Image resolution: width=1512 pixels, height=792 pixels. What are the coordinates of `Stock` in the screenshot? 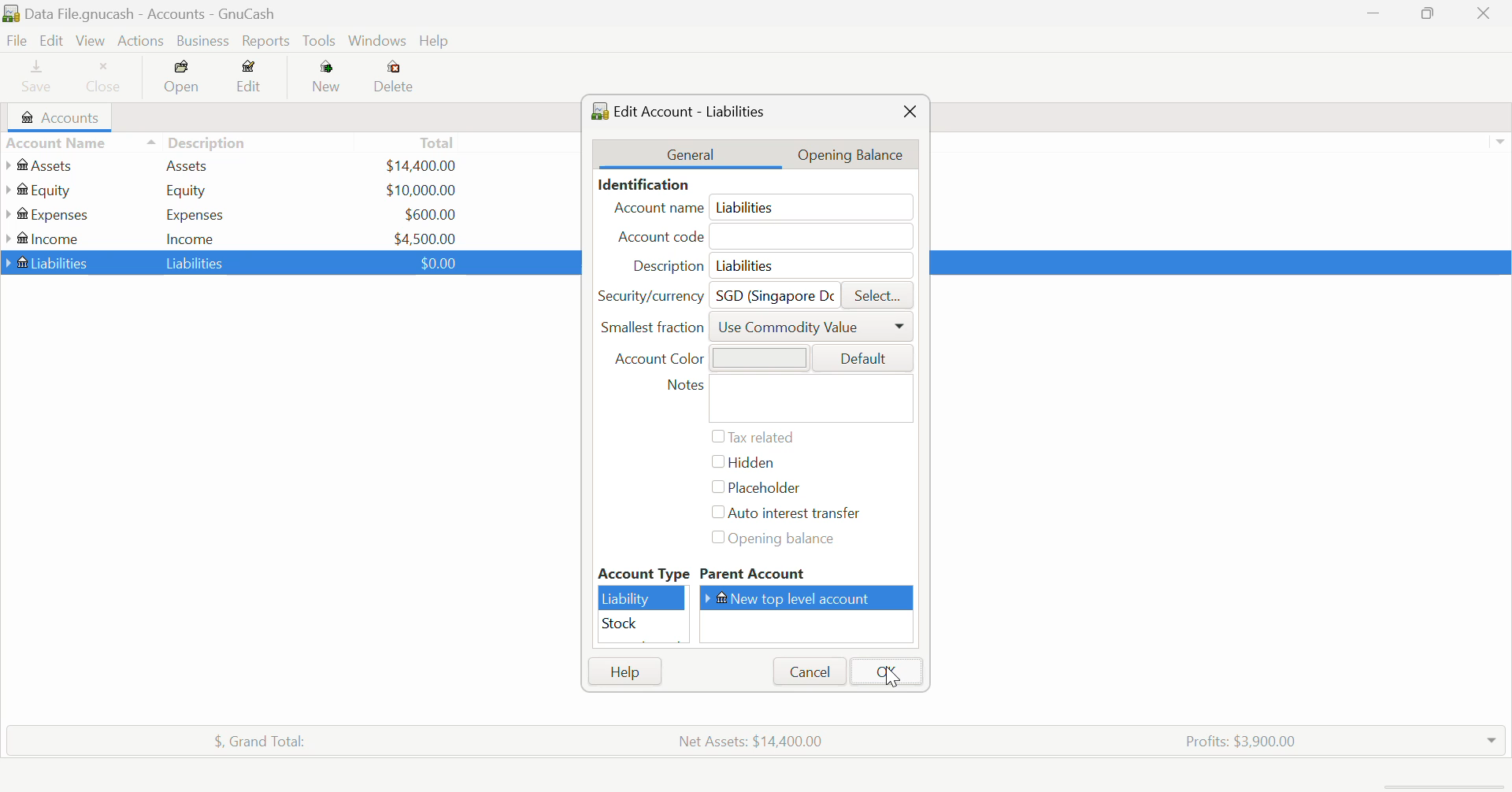 It's located at (643, 624).